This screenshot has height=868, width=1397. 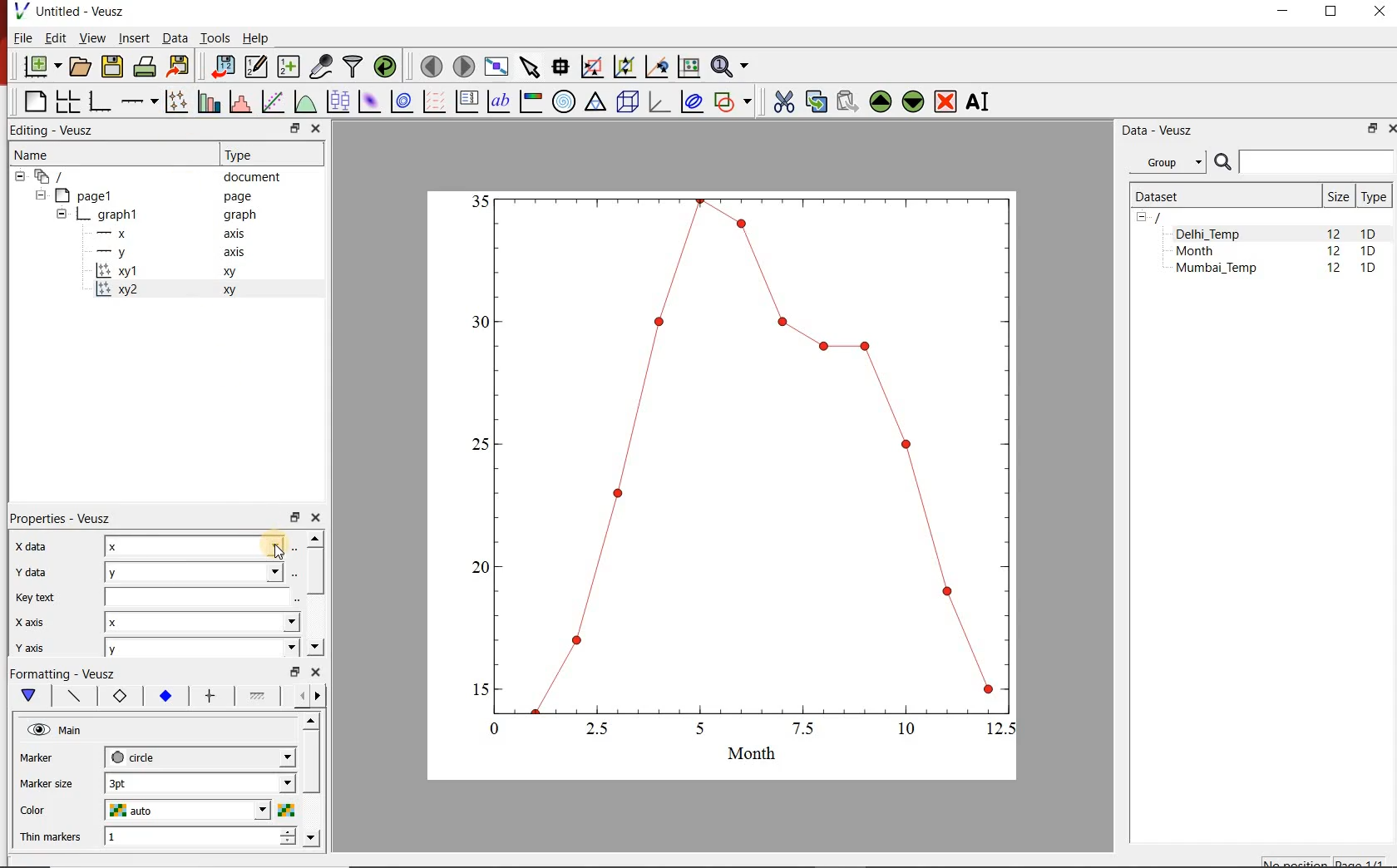 I want to click on Untitled-Veusz, so click(x=74, y=11).